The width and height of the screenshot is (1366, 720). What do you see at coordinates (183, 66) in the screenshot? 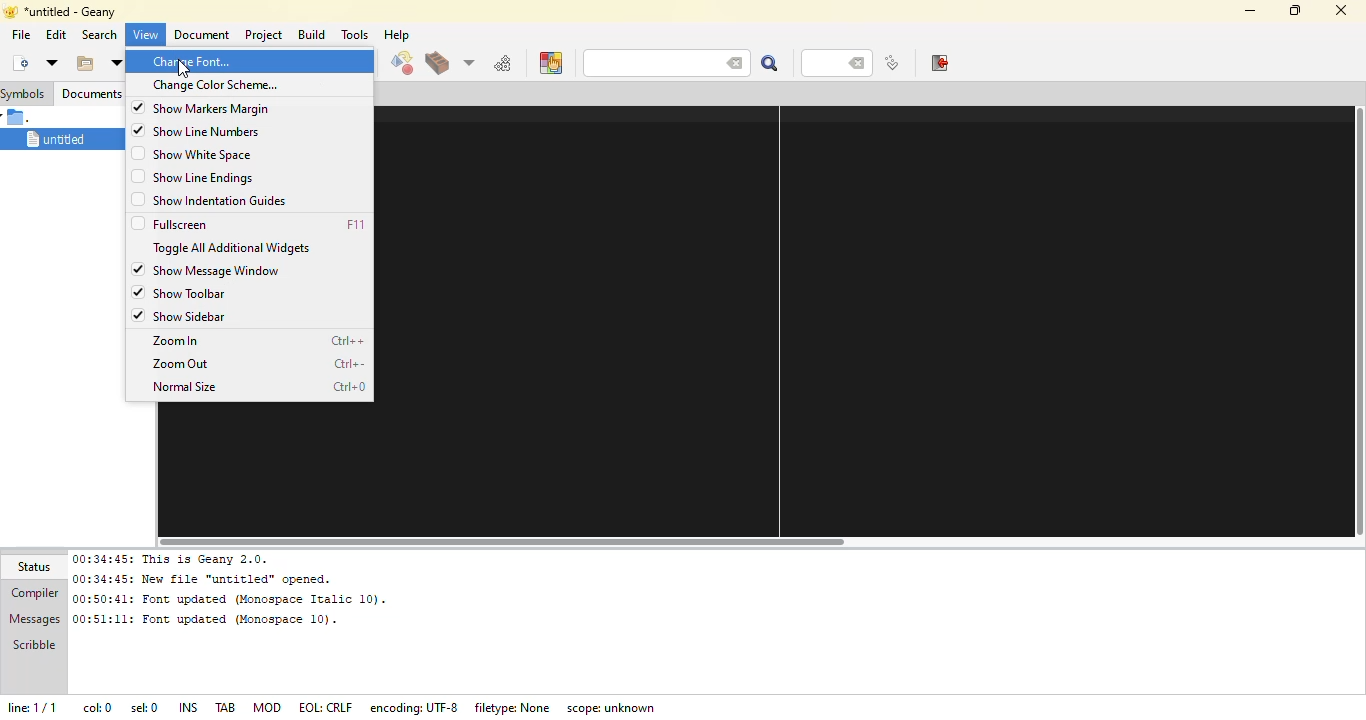
I see `cursor` at bounding box center [183, 66].